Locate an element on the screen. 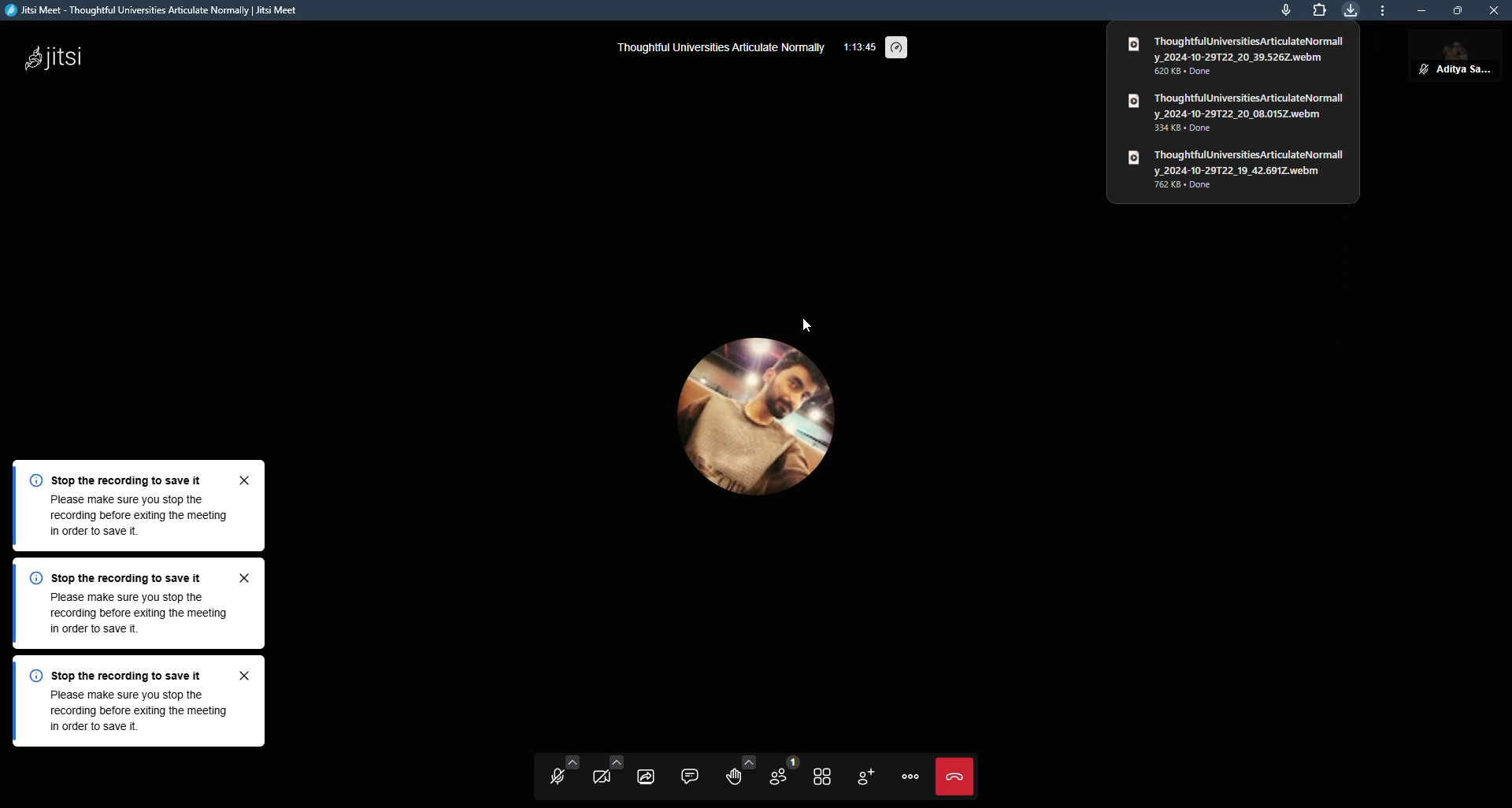 This screenshot has height=808, width=1512. extensions is located at coordinates (1319, 9).